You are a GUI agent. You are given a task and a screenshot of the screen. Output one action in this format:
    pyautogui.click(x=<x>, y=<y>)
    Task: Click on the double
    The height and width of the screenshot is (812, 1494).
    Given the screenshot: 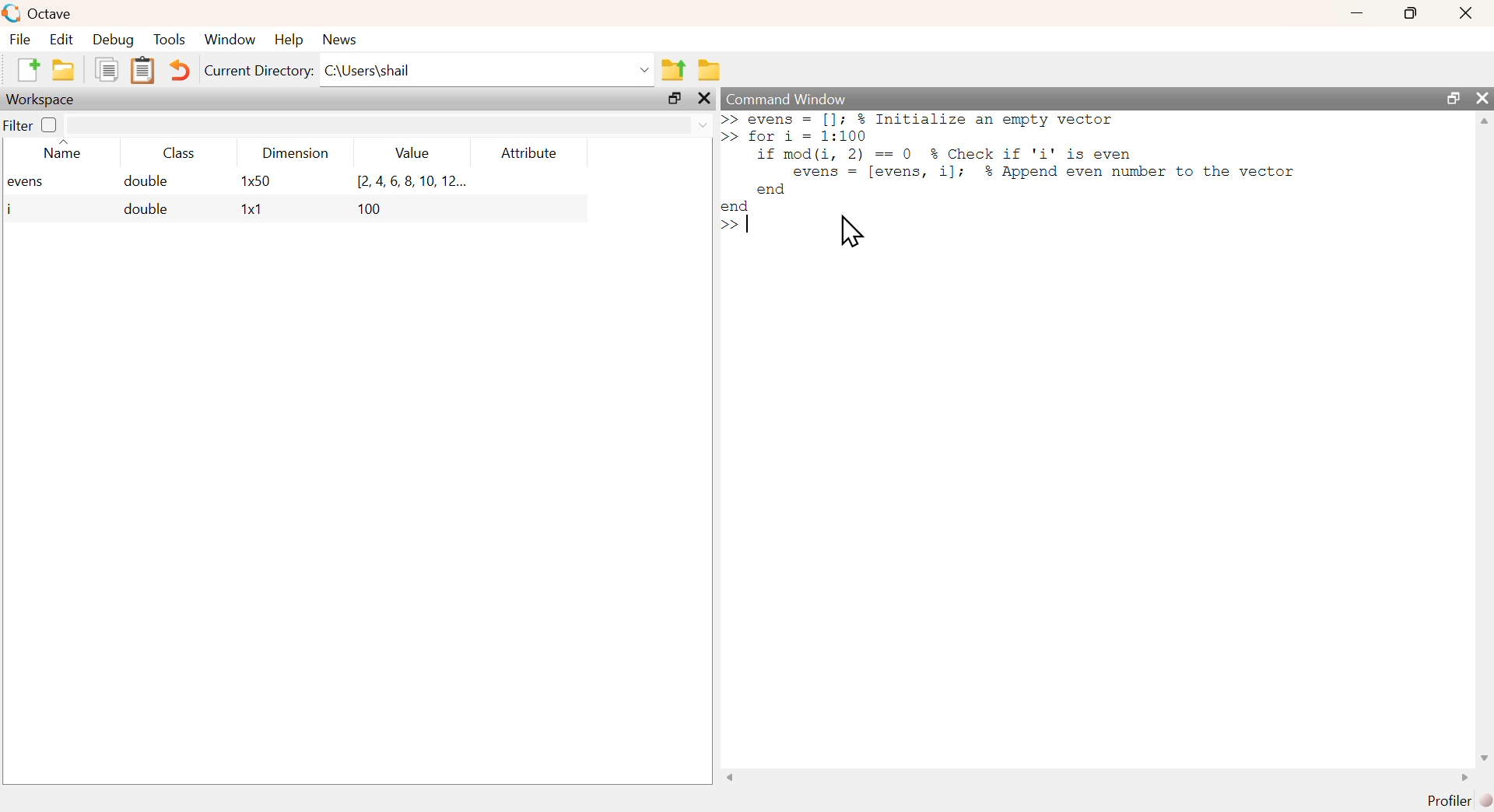 What is the action you would take?
    pyautogui.click(x=147, y=210)
    